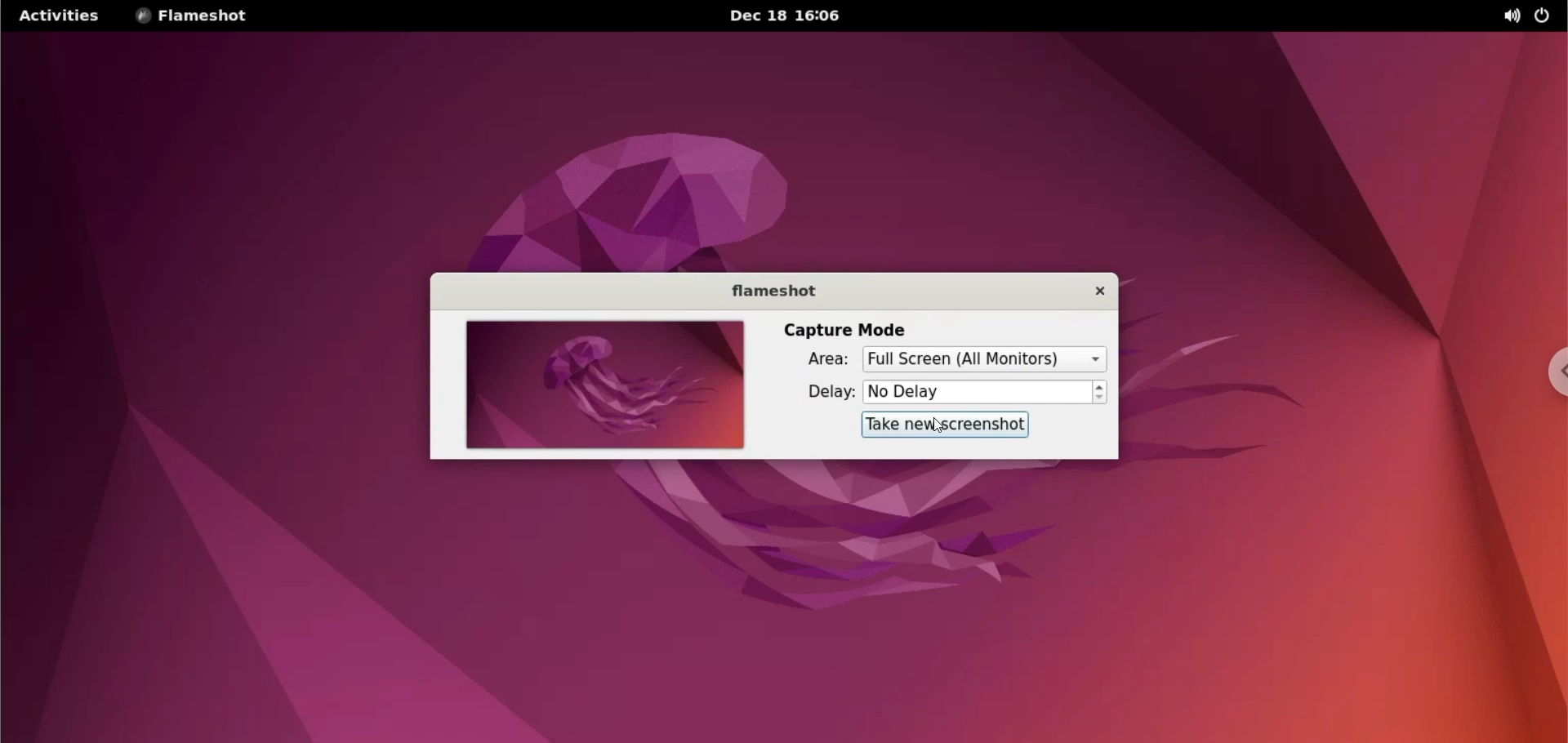 The width and height of the screenshot is (1568, 743). Describe the element at coordinates (844, 329) in the screenshot. I see `capture mode label` at that location.